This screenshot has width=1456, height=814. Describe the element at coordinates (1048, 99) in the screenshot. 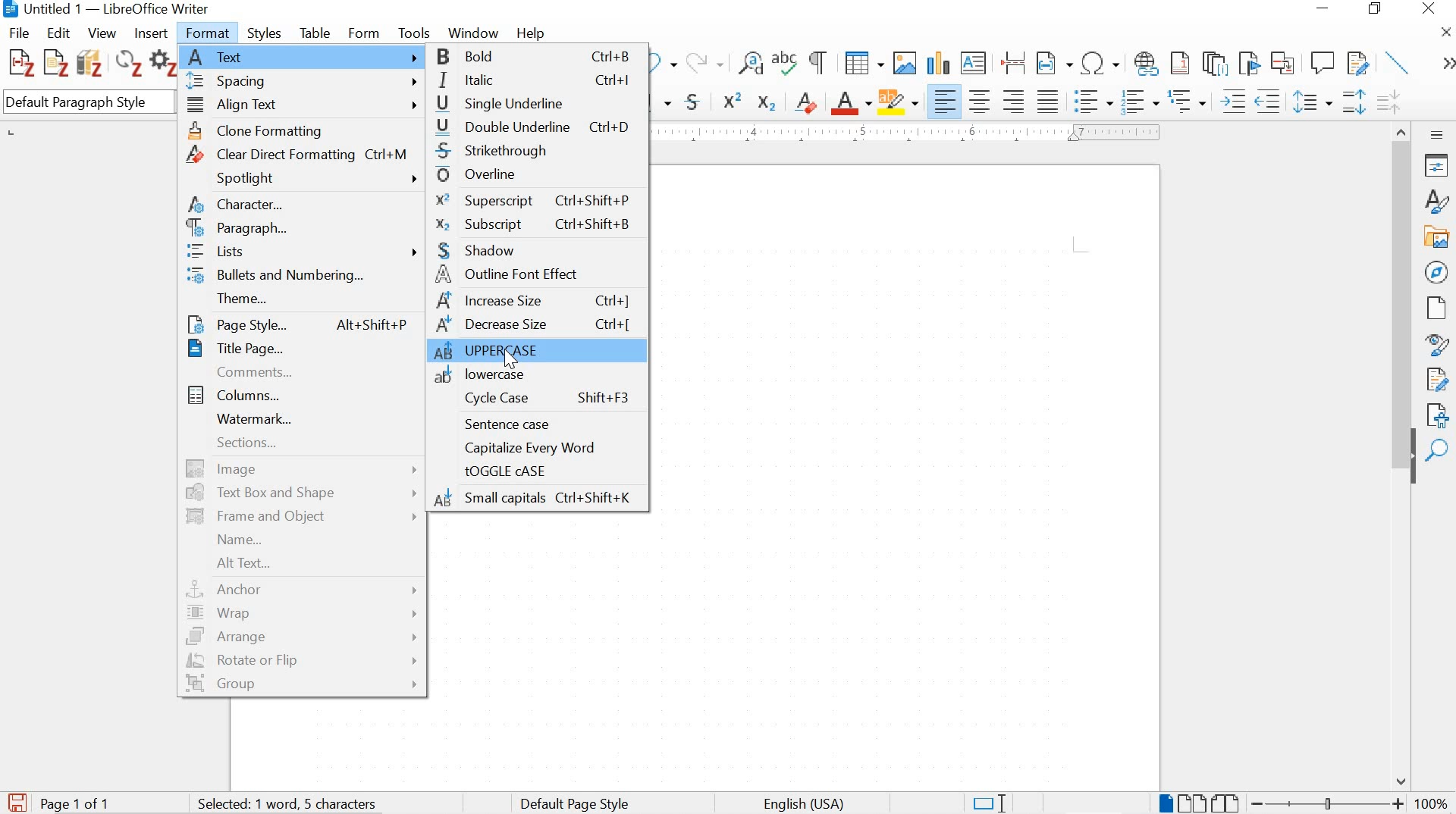

I see `justified` at that location.